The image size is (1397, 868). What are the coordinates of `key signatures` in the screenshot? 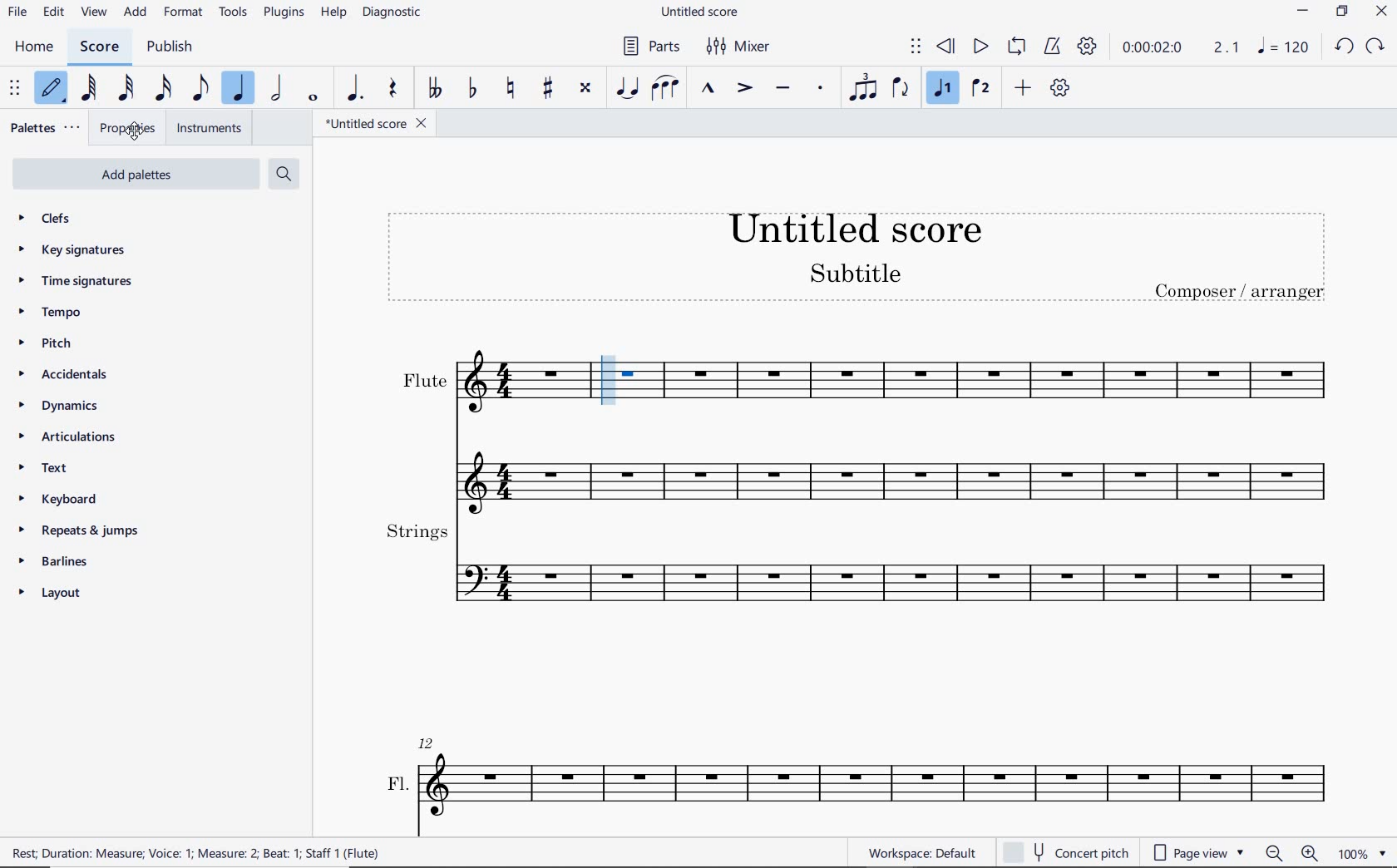 It's located at (79, 252).